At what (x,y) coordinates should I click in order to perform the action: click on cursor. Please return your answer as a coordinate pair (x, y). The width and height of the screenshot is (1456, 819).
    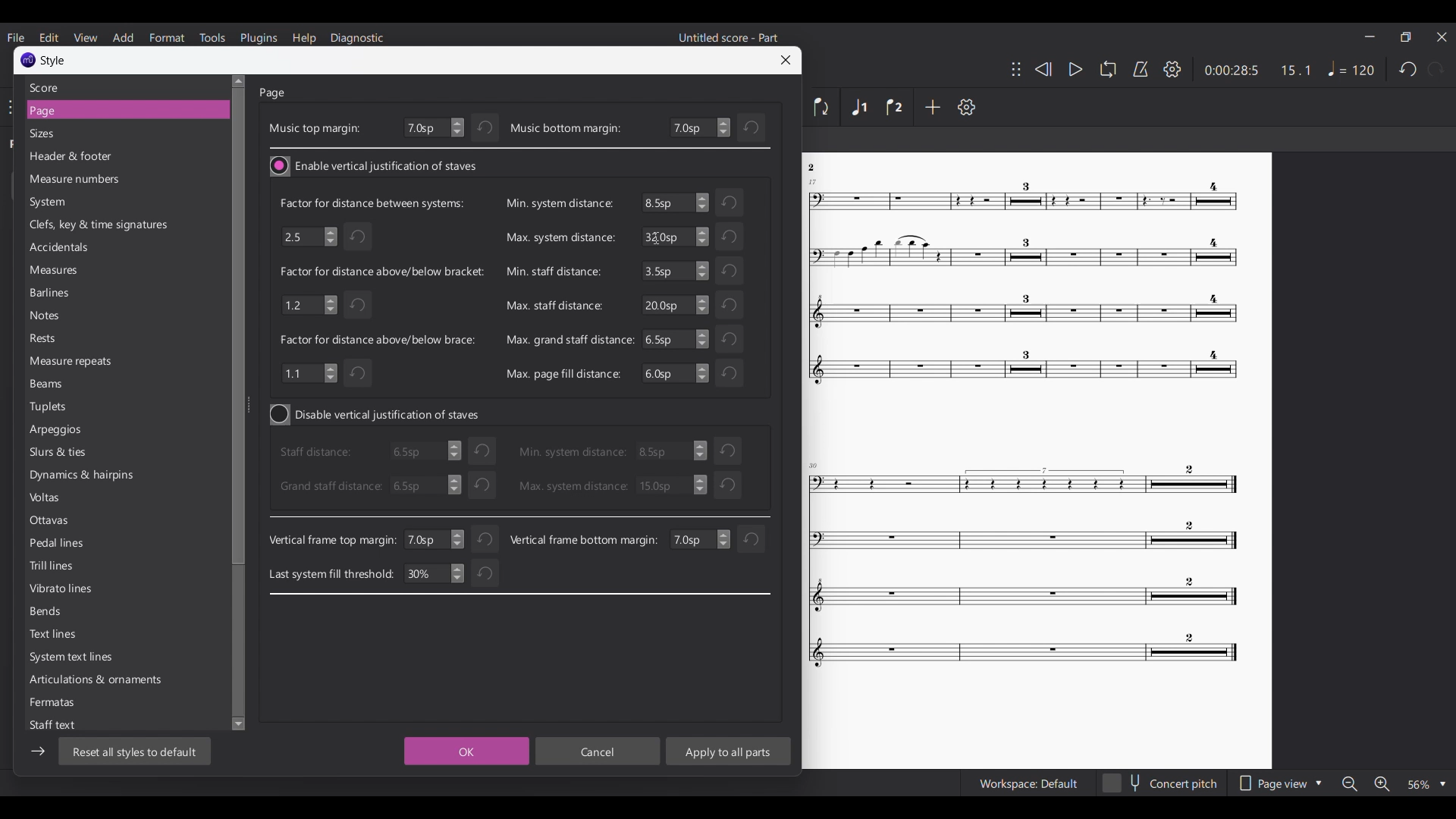
    Looking at the image, I should click on (658, 239).